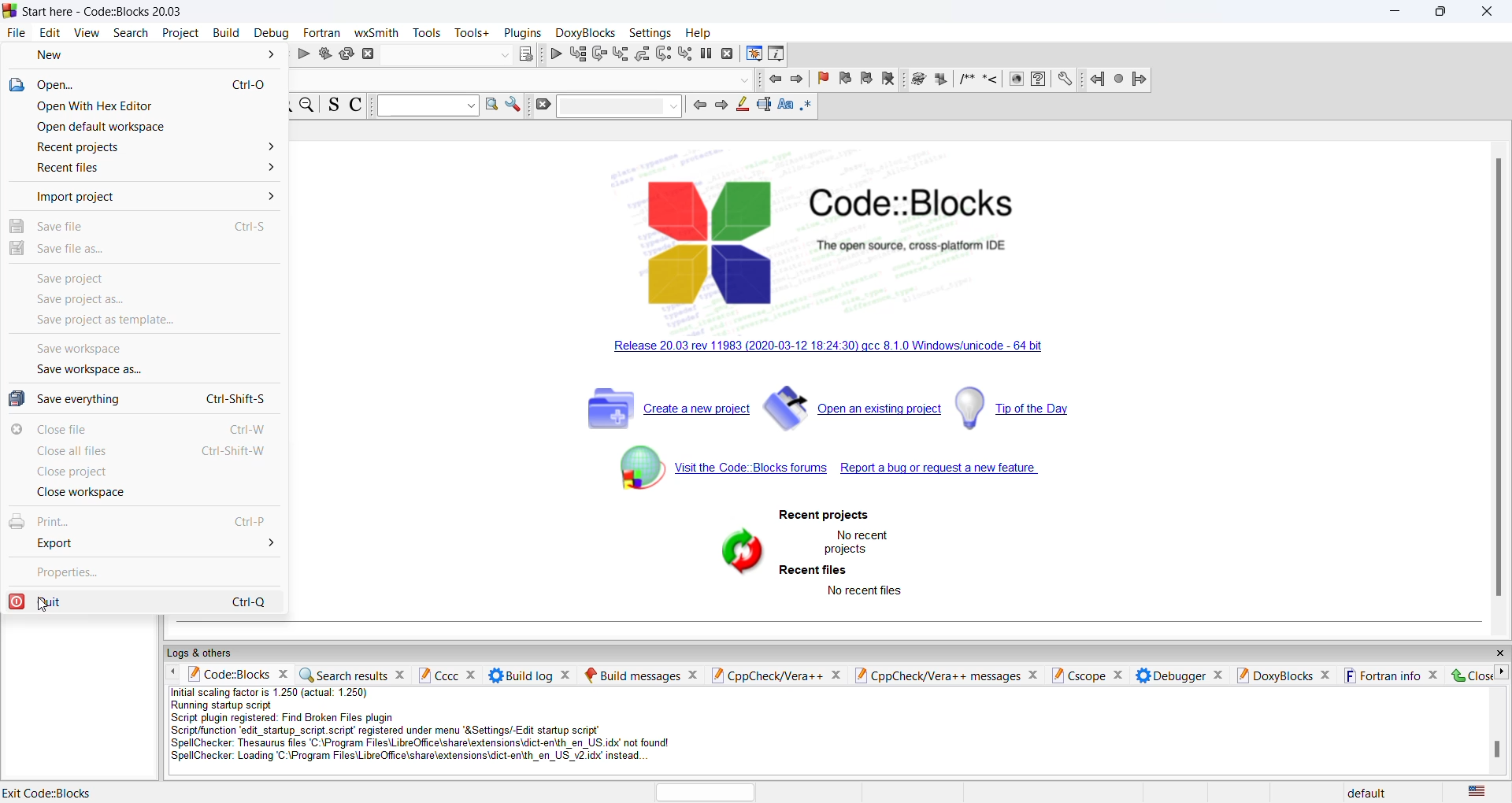 This screenshot has width=1512, height=803. I want to click on stop debugger, so click(728, 54).